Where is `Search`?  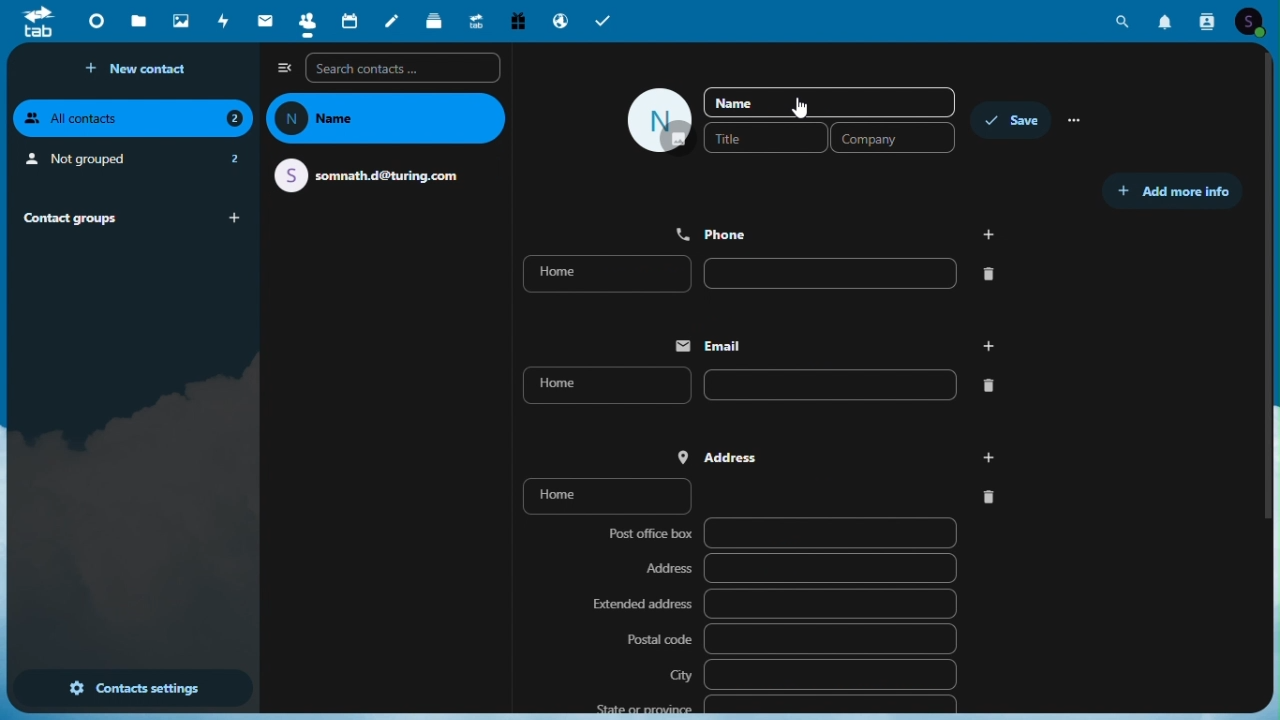
Search is located at coordinates (1126, 21).